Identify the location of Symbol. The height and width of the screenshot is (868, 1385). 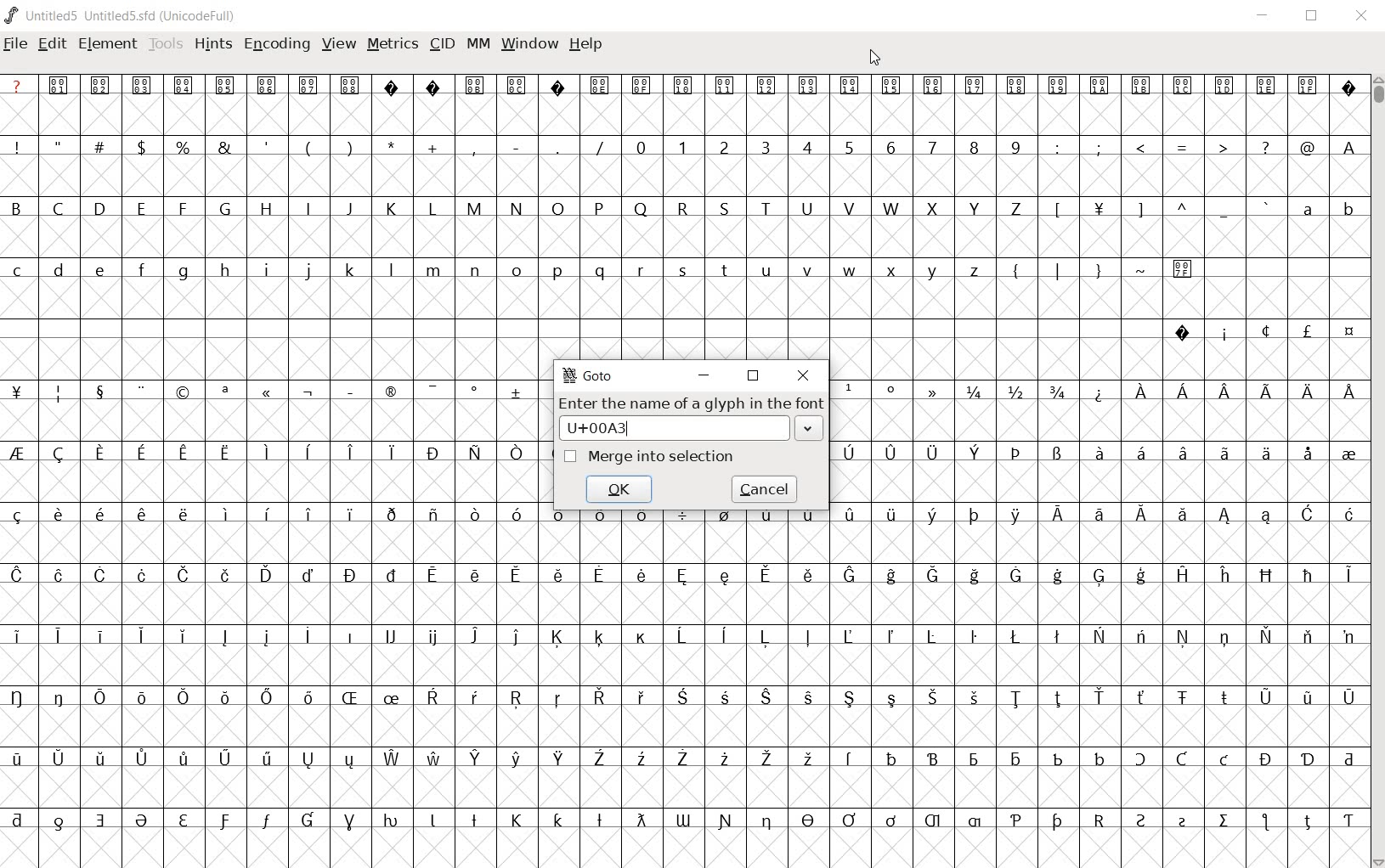
(892, 758).